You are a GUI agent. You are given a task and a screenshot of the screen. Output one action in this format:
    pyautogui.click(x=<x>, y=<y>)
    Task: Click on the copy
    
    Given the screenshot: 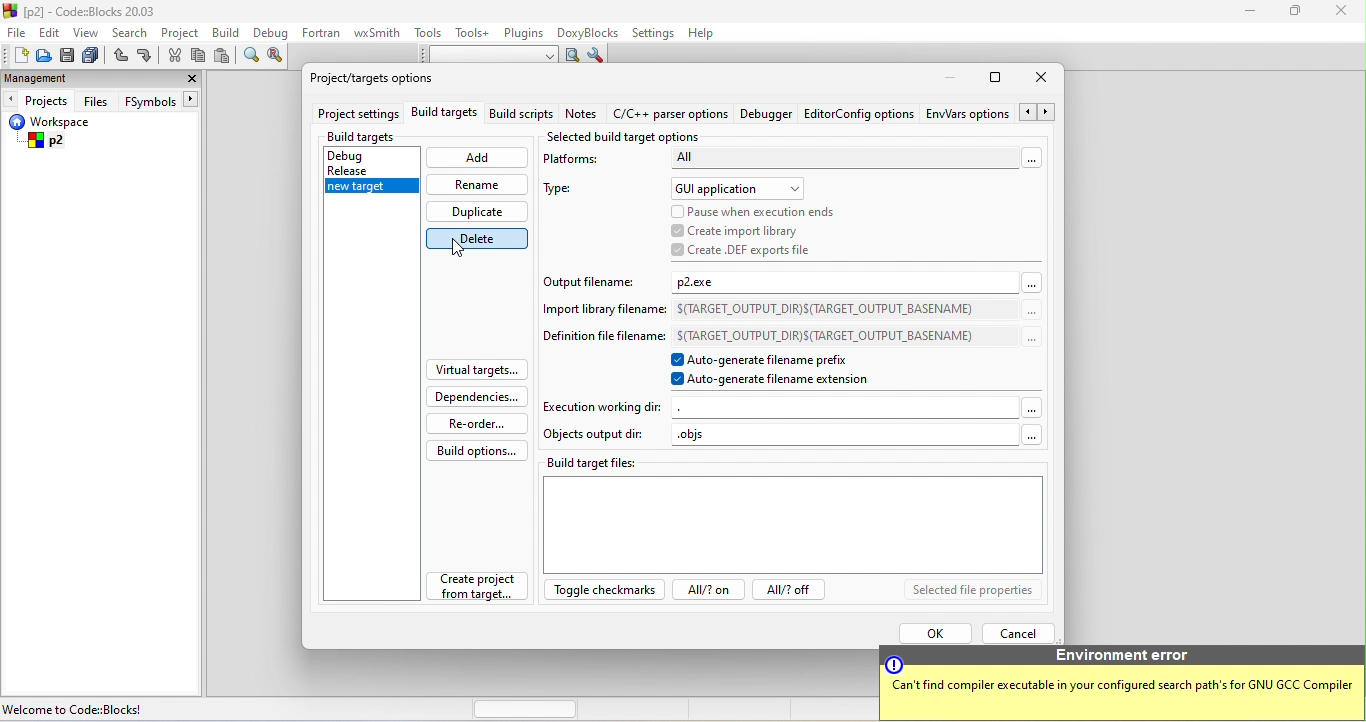 What is the action you would take?
    pyautogui.click(x=199, y=56)
    